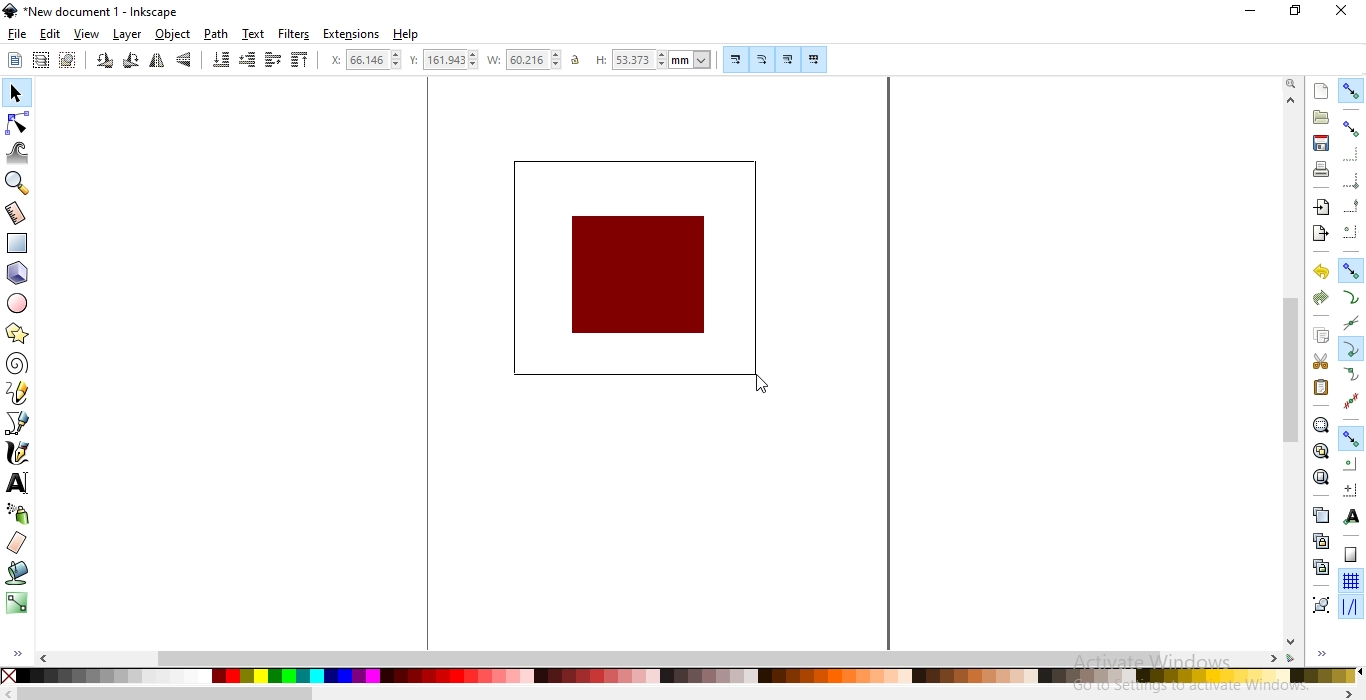  What do you see at coordinates (1349, 487) in the screenshot?
I see `snap an items rotation center` at bounding box center [1349, 487].